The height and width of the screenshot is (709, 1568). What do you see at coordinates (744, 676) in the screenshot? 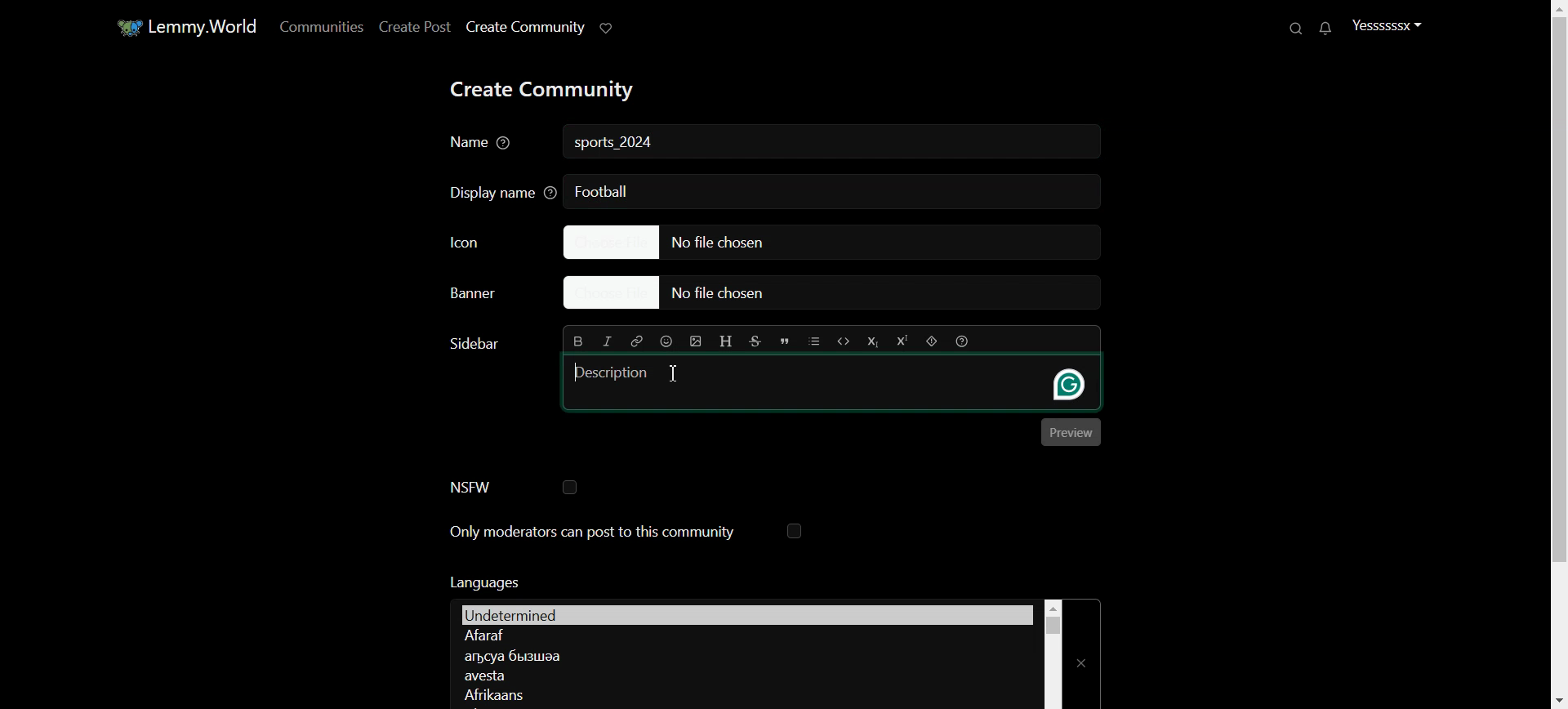
I see `Language` at bounding box center [744, 676].